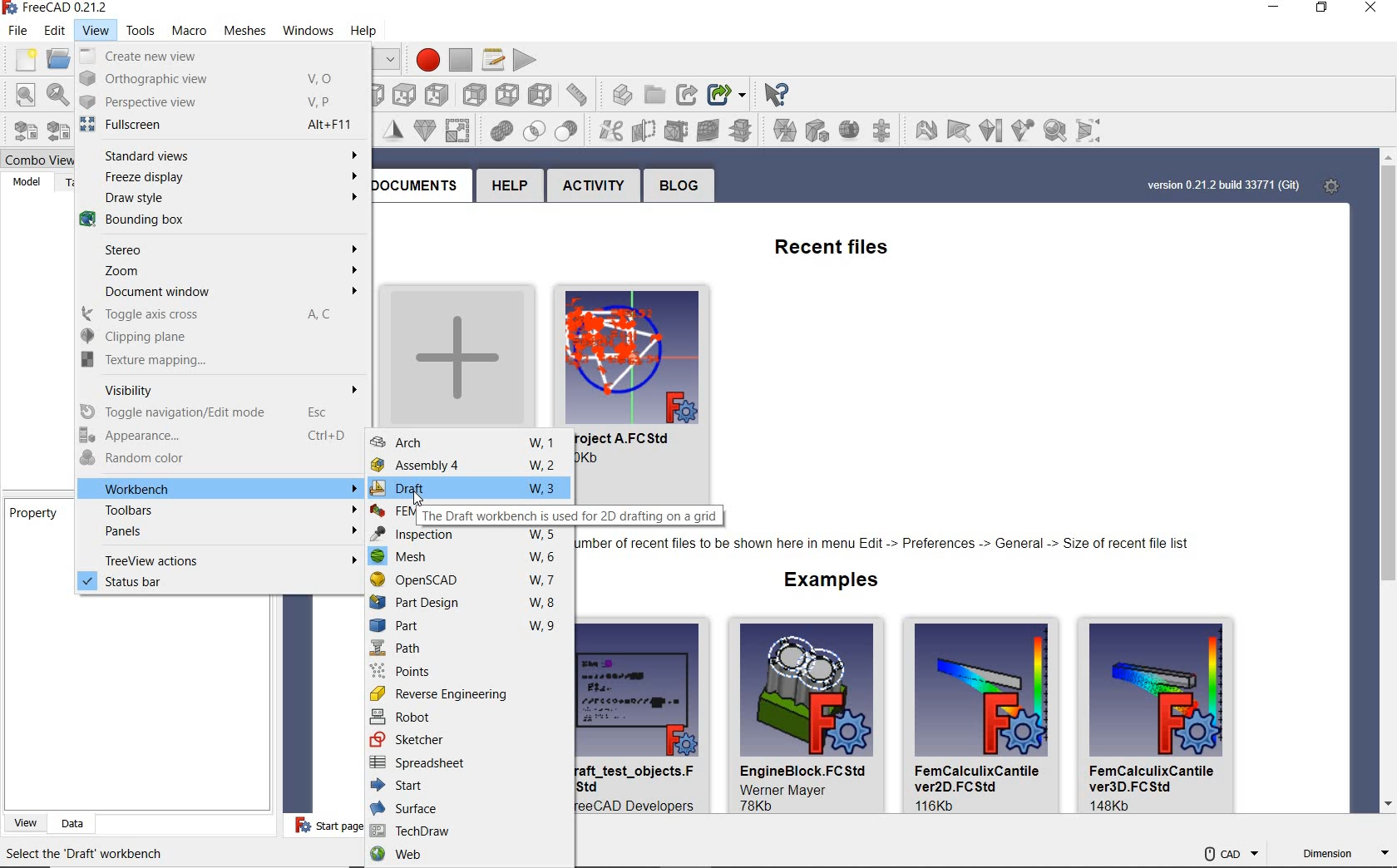  What do you see at coordinates (468, 580) in the screenshot?
I see `openscad` at bounding box center [468, 580].